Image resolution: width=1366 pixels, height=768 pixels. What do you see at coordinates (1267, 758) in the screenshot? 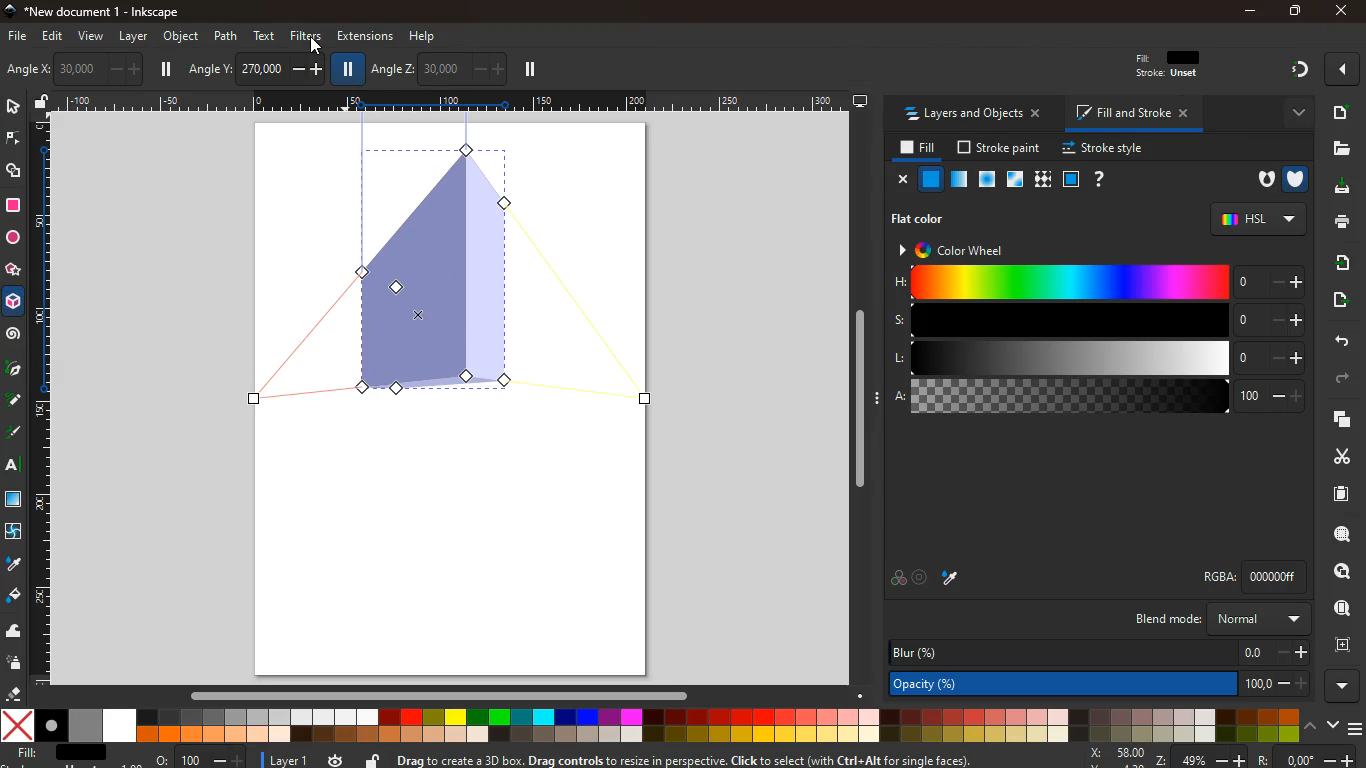
I see `` at bounding box center [1267, 758].